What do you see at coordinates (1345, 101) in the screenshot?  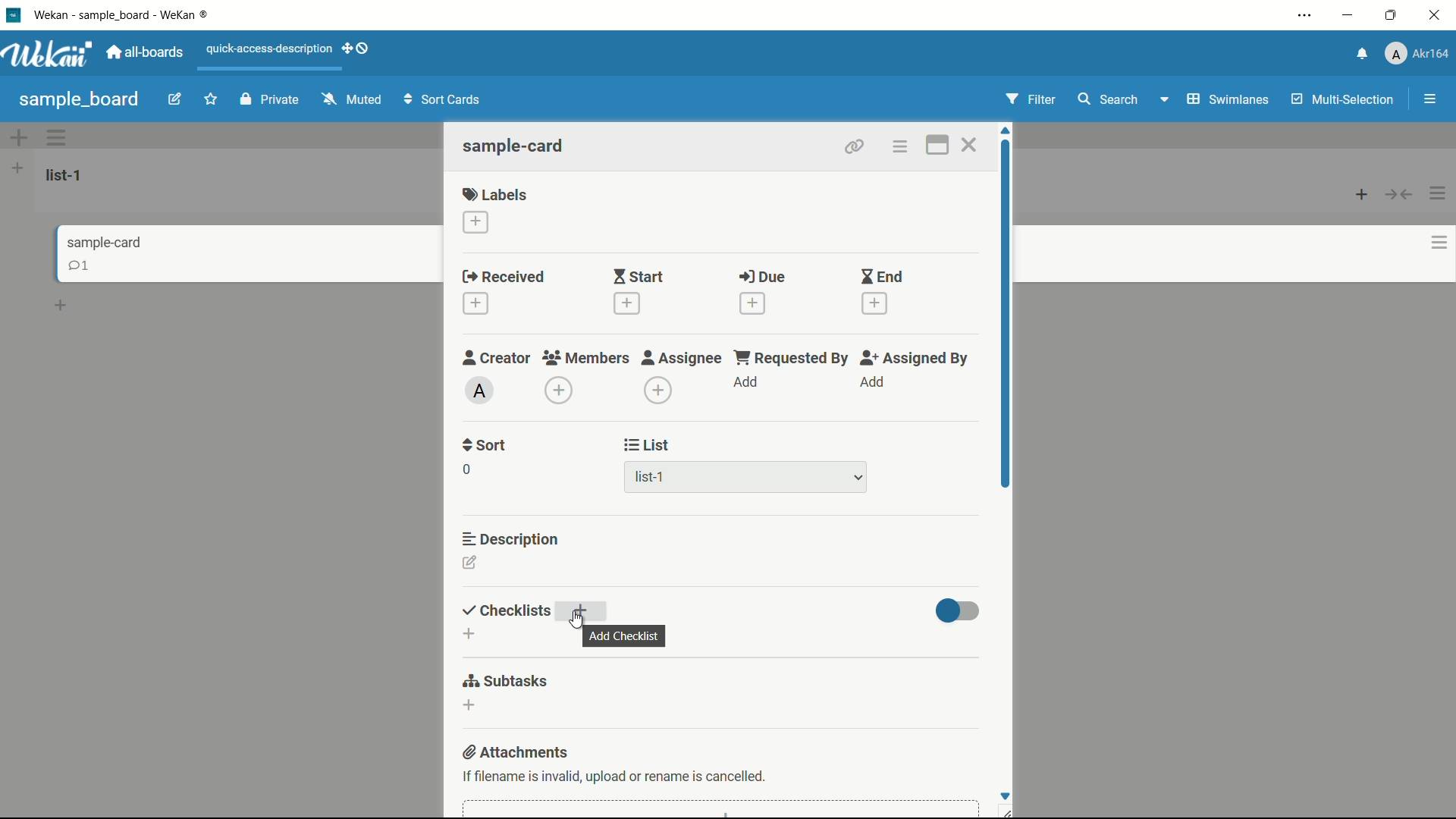 I see ` Multi-Selection` at bounding box center [1345, 101].